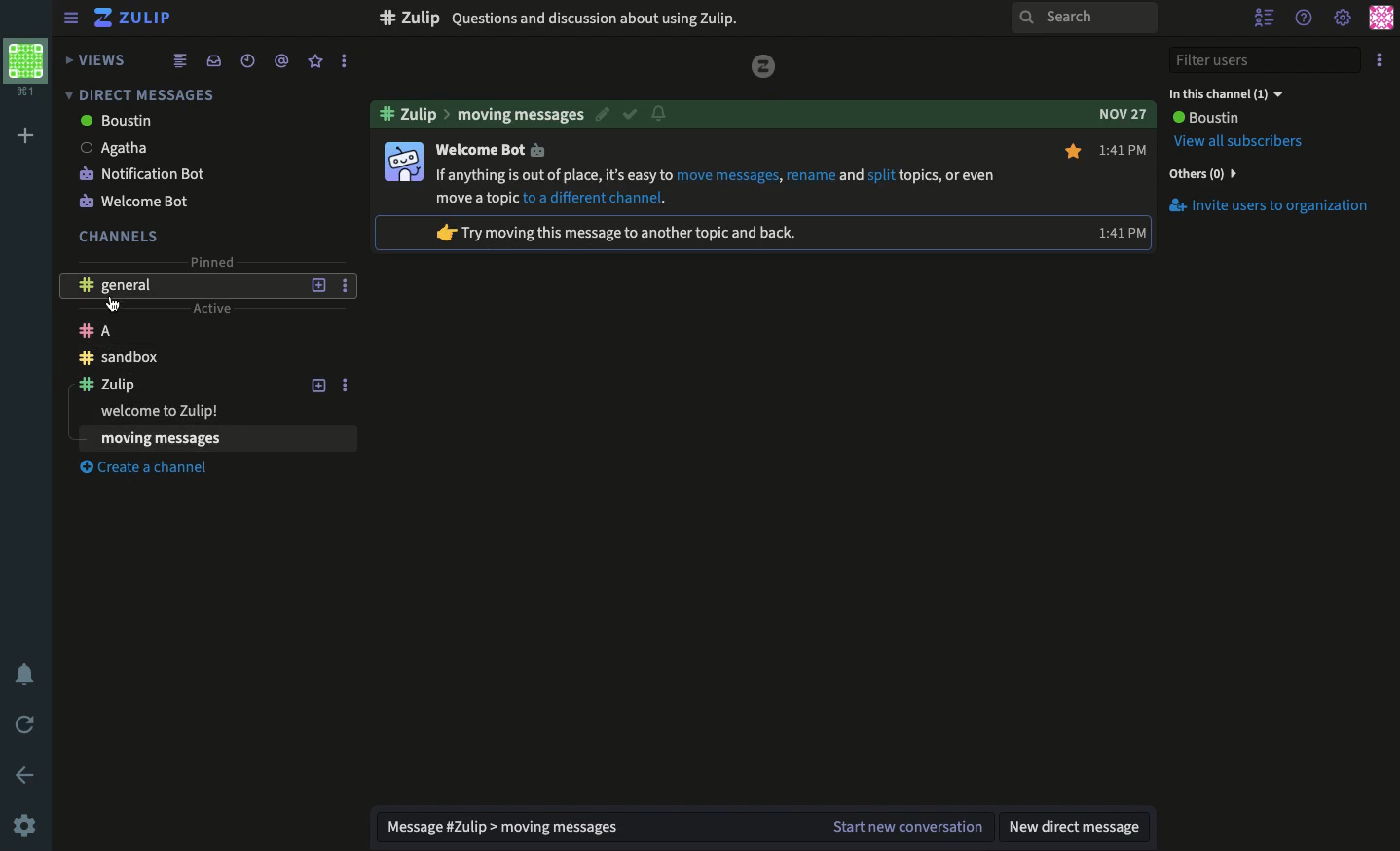  Describe the element at coordinates (811, 175) in the screenshot. I see `rename` at that location.